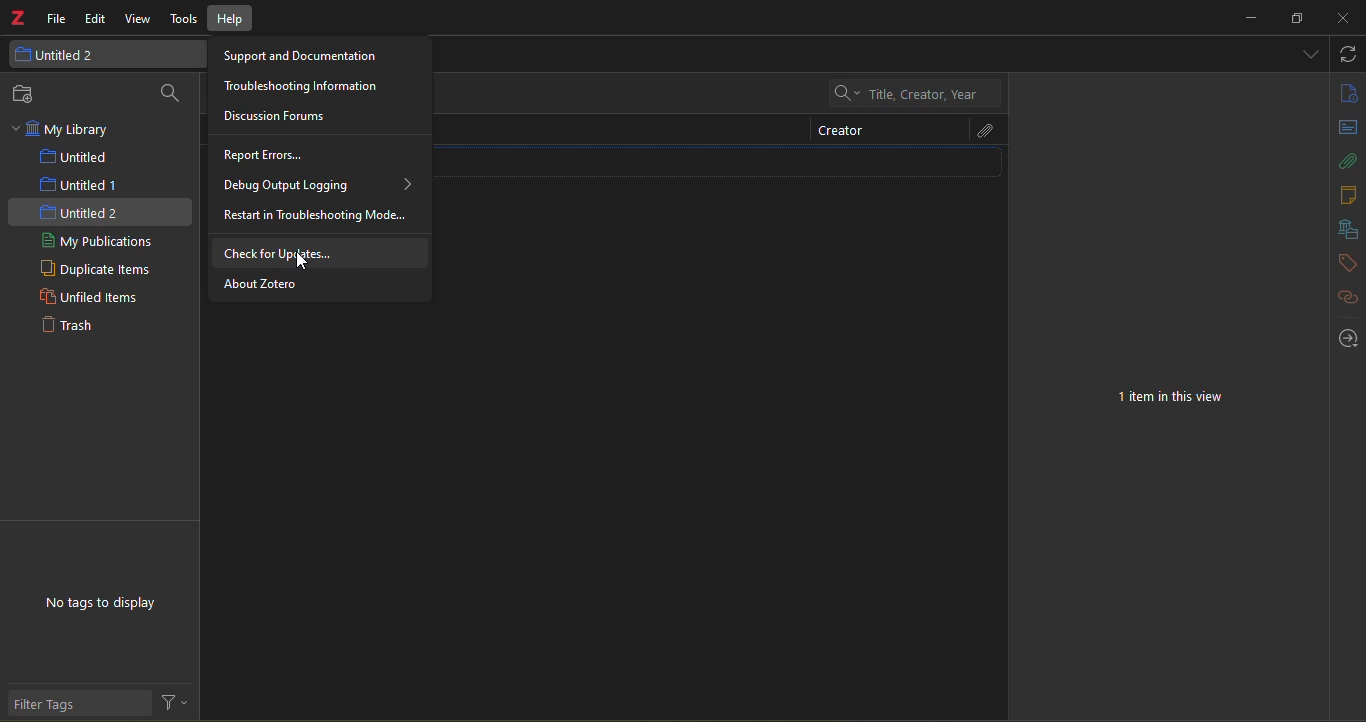  Describe the element at coordinates (303, 261) in the screenshot. I see `cursor` at that location.